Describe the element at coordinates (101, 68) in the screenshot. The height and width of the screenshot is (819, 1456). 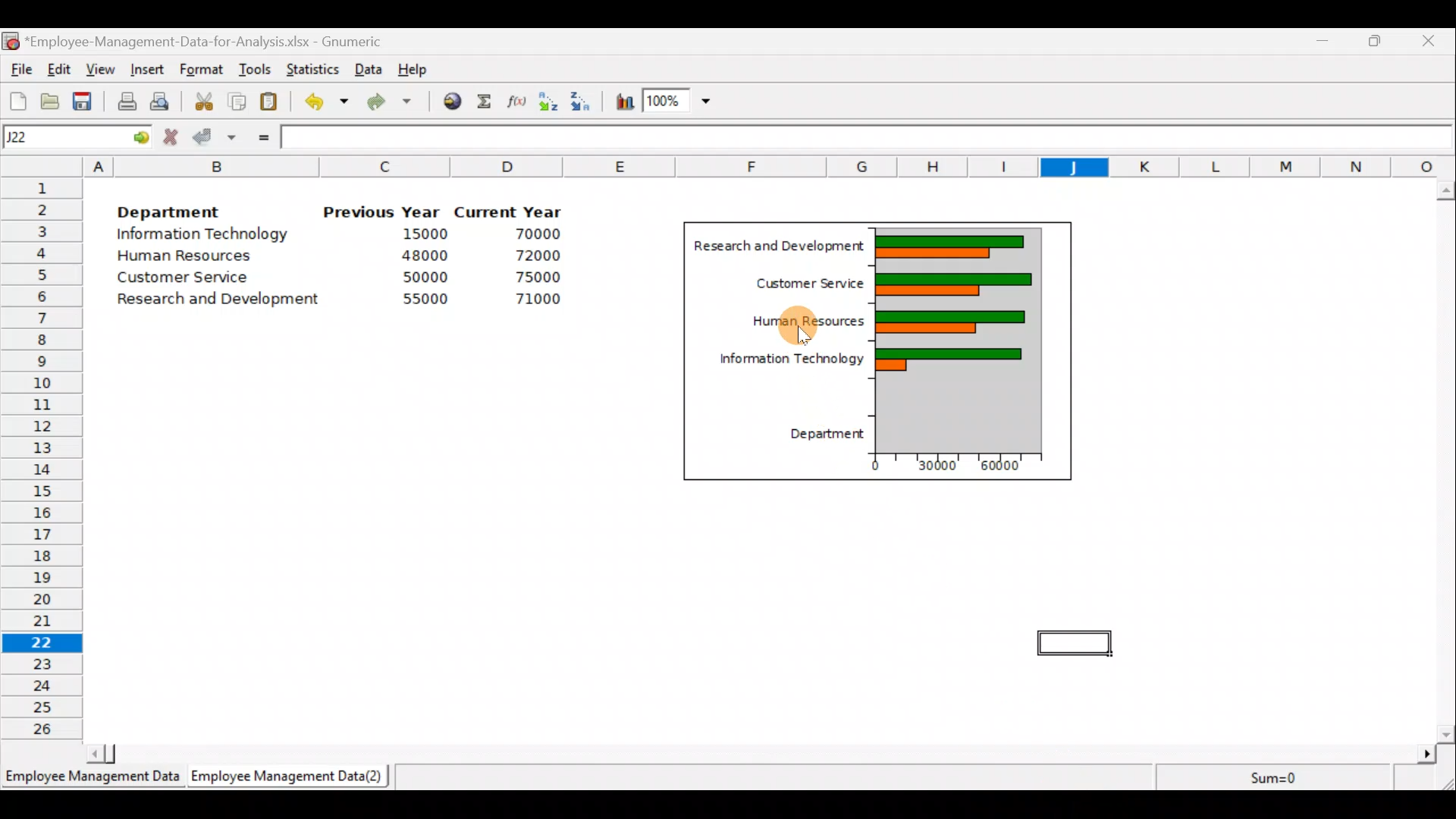
I see `View` at that location.